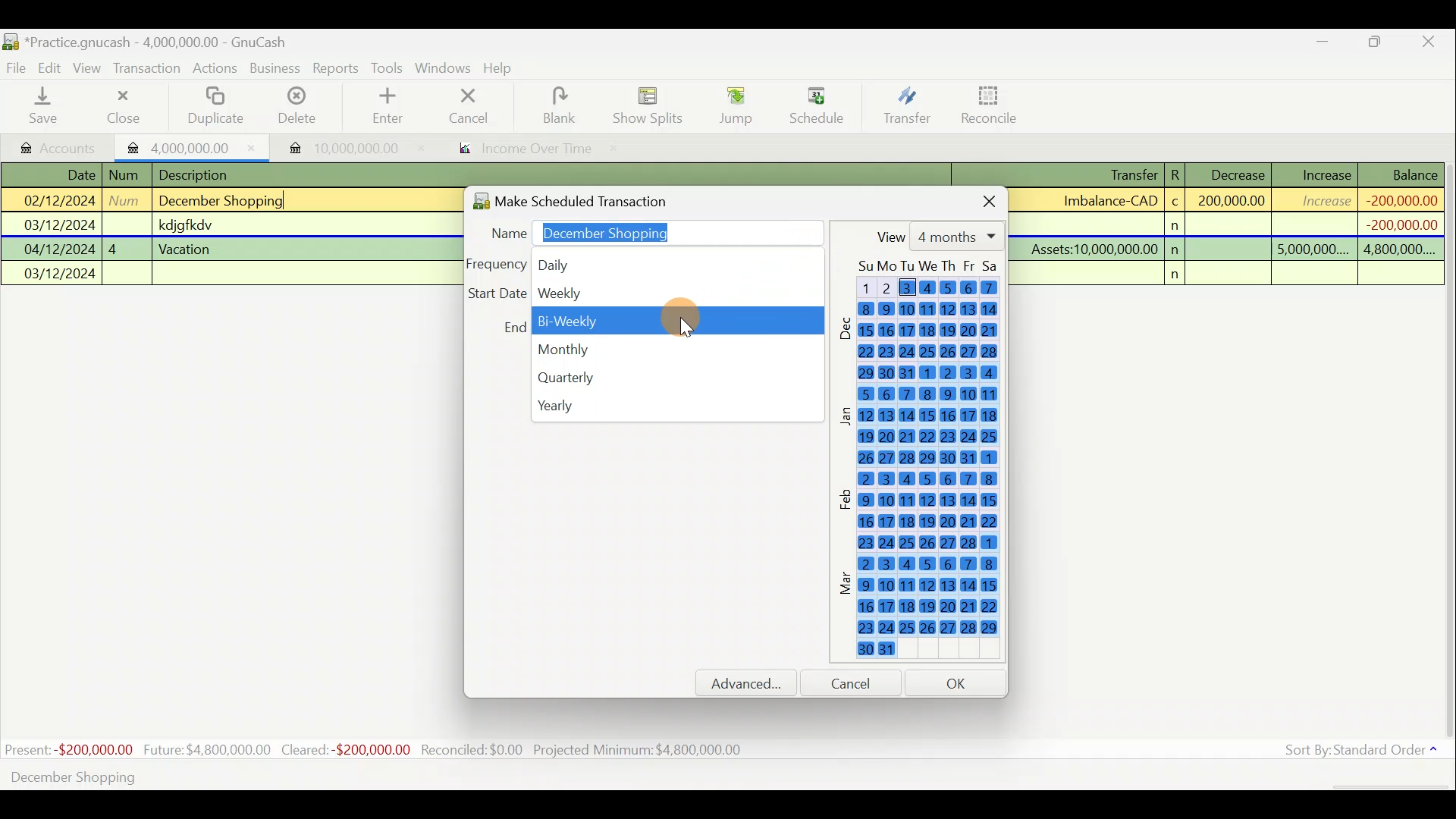 This screenshot has width=1456, height=819. Describe the element at coordinates (386, 106) in the screenshot. I see `Enter` at that location.